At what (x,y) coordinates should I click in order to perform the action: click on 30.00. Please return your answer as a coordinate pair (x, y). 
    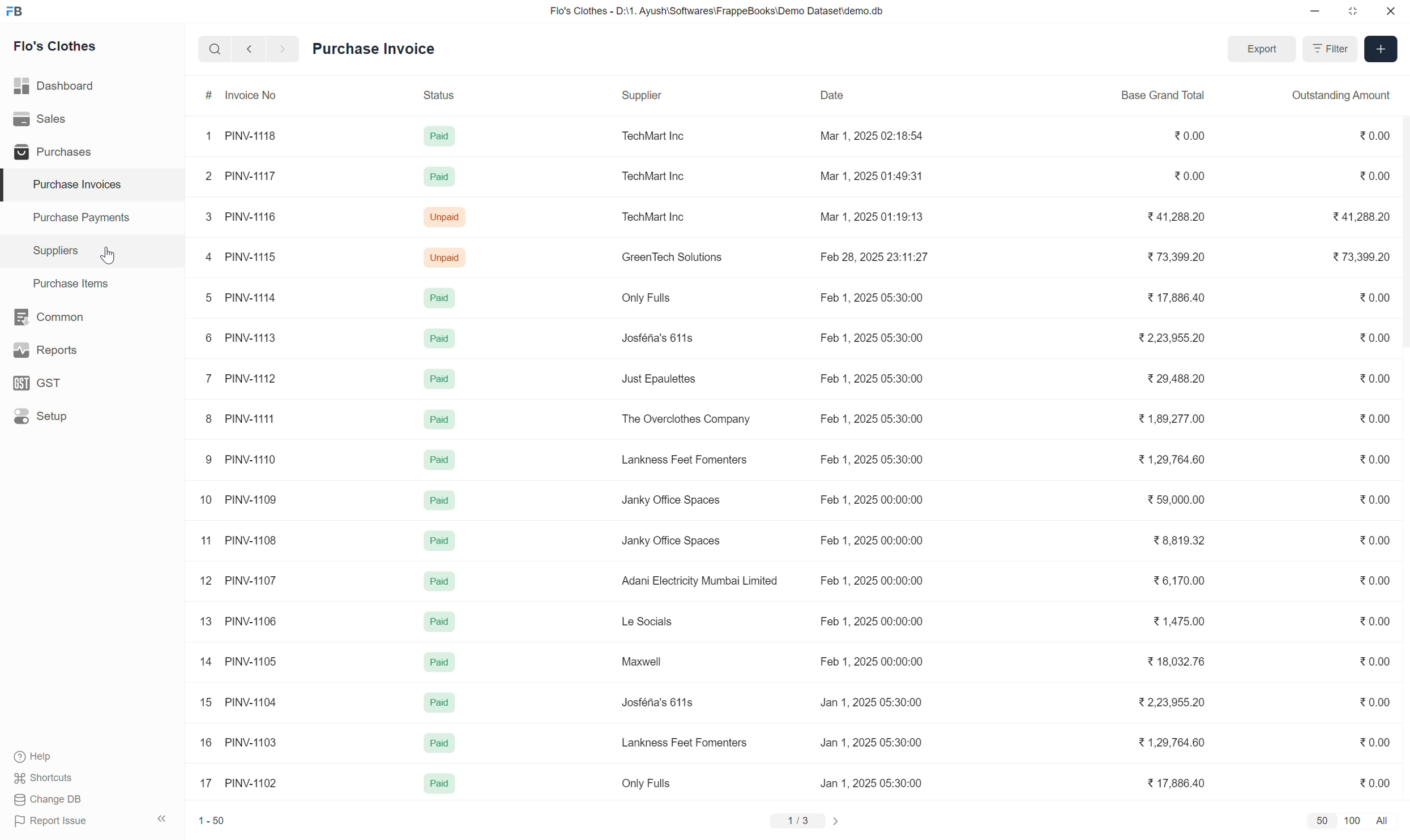
    Looking at the image, I should click on (1370, 418).